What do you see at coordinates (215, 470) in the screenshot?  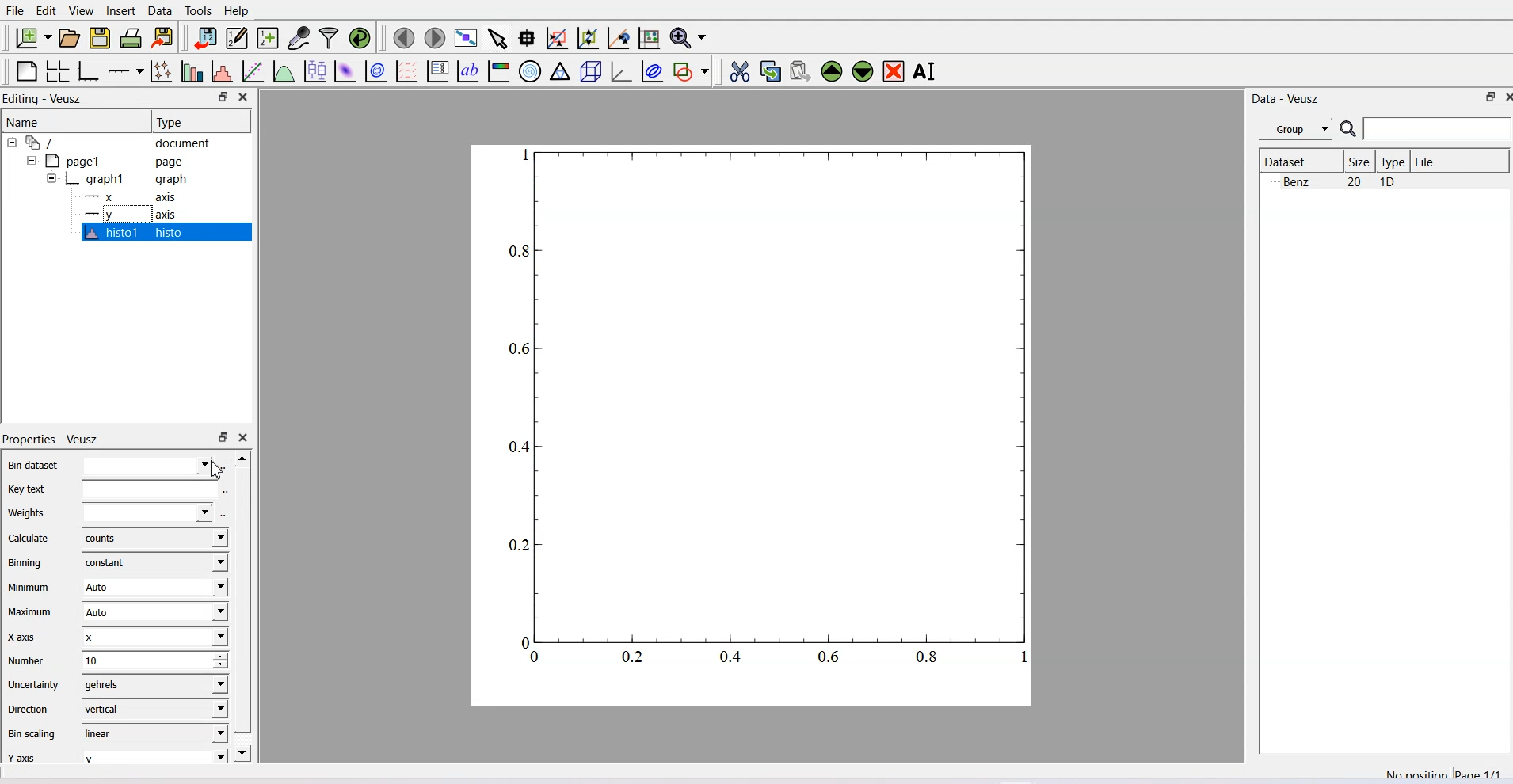 I see `Cursor` at bounding box center [215, 470].